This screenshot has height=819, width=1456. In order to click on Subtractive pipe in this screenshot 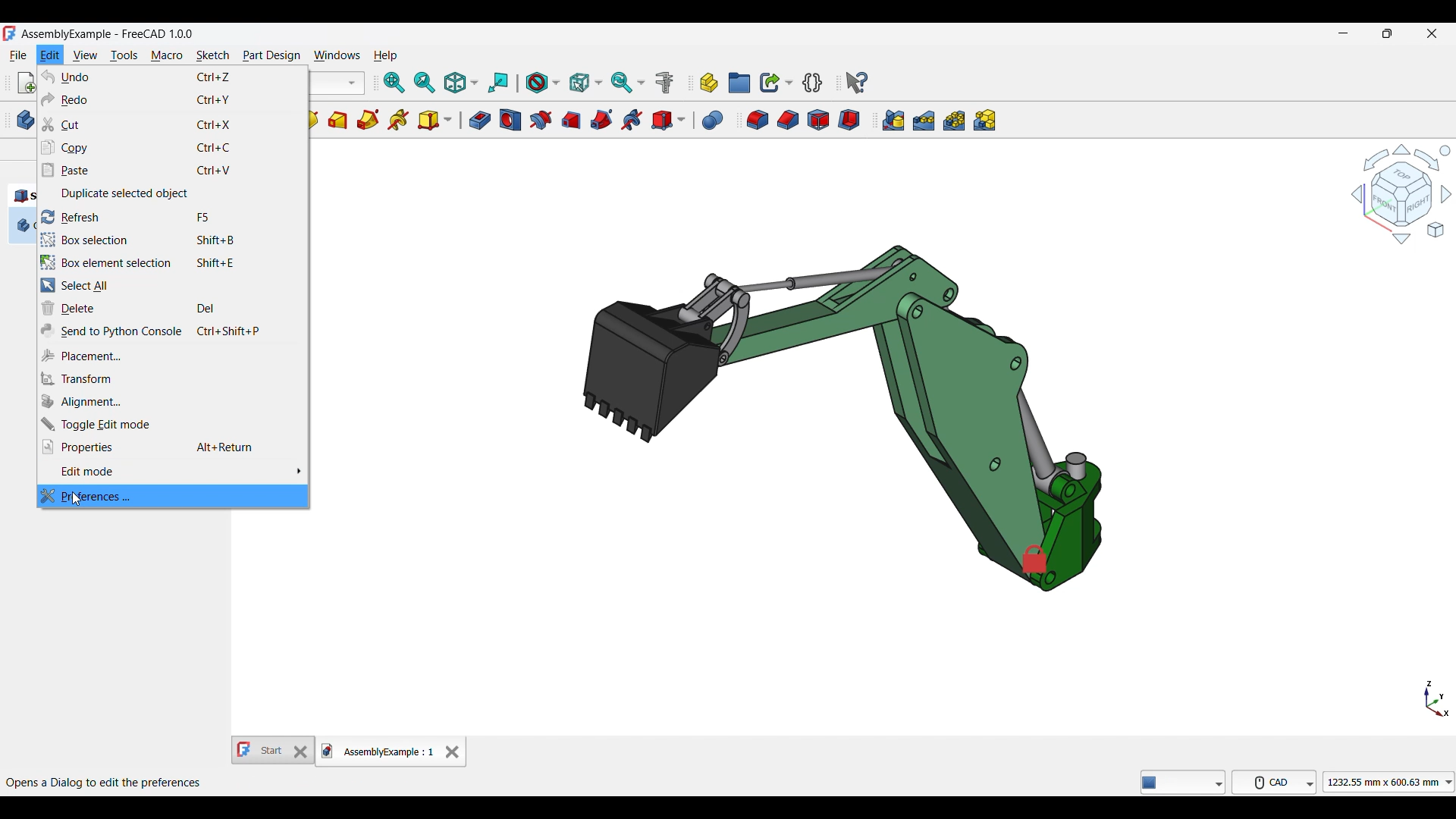, I will do `click(602, 120)`.